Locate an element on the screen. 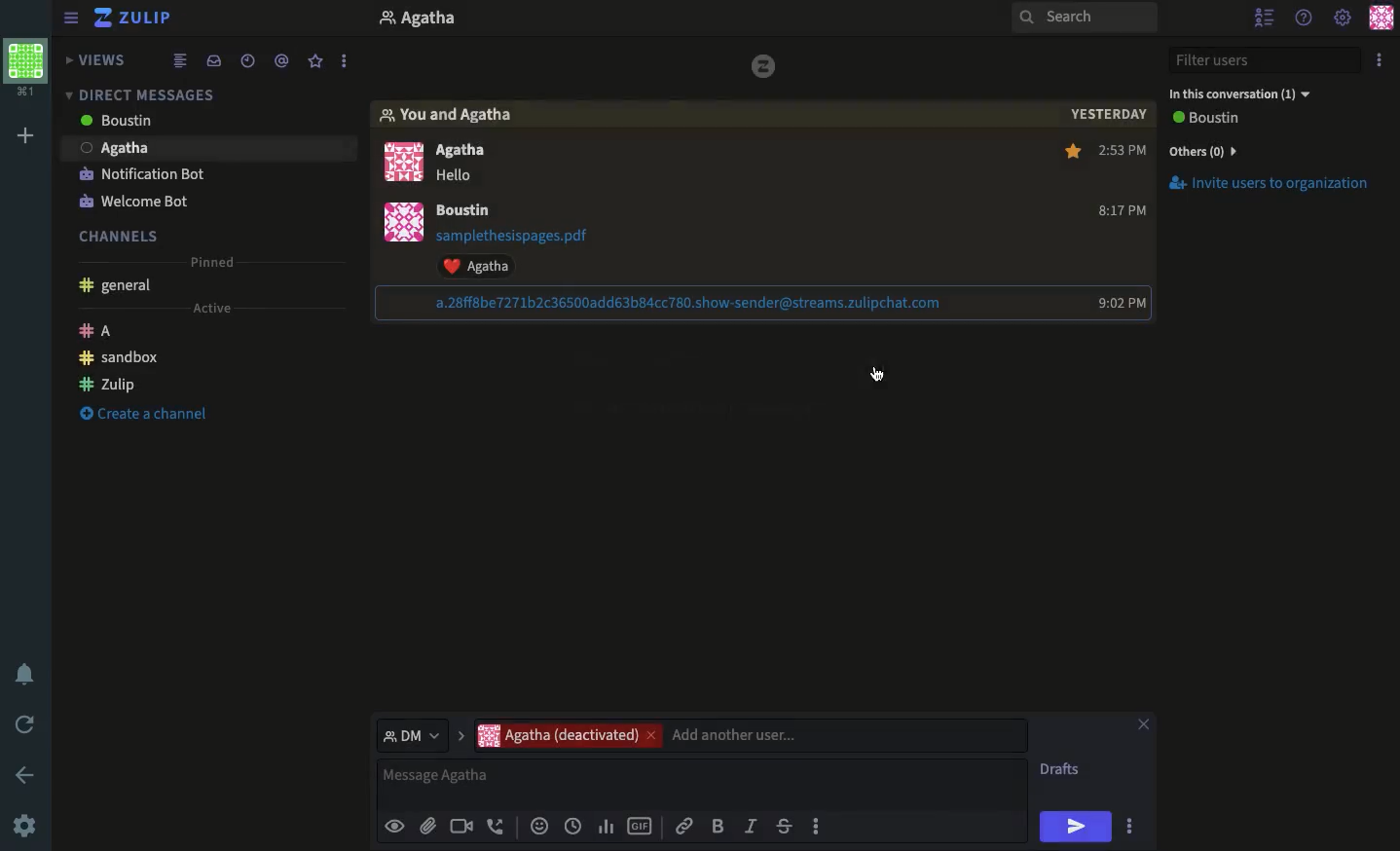 This screenshot has width=1400, height=851. Sandbox is located at coordinates (121, 358).